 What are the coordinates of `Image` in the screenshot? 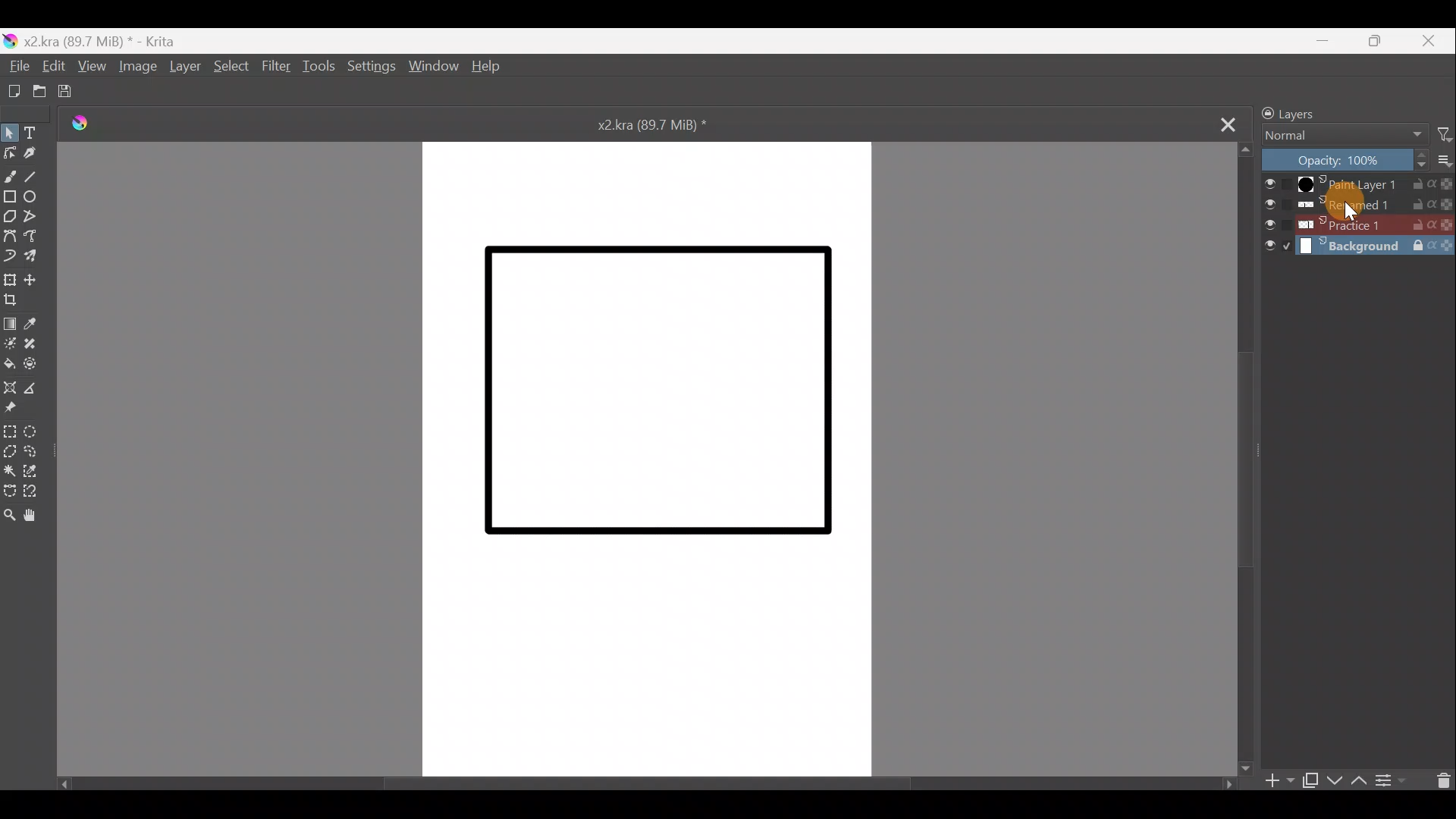 It's located at (140, 67).